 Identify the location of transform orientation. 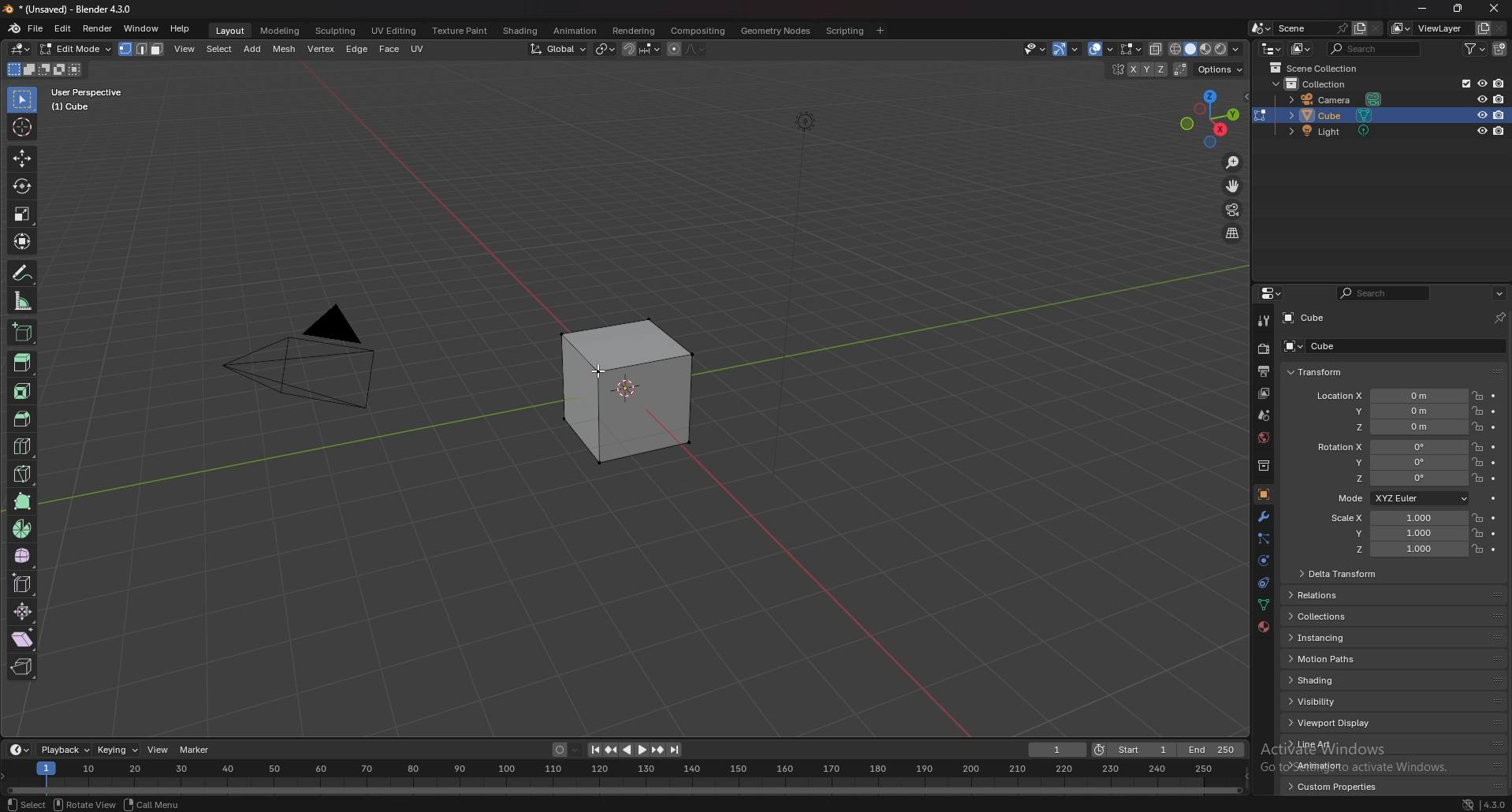
(557, 50).